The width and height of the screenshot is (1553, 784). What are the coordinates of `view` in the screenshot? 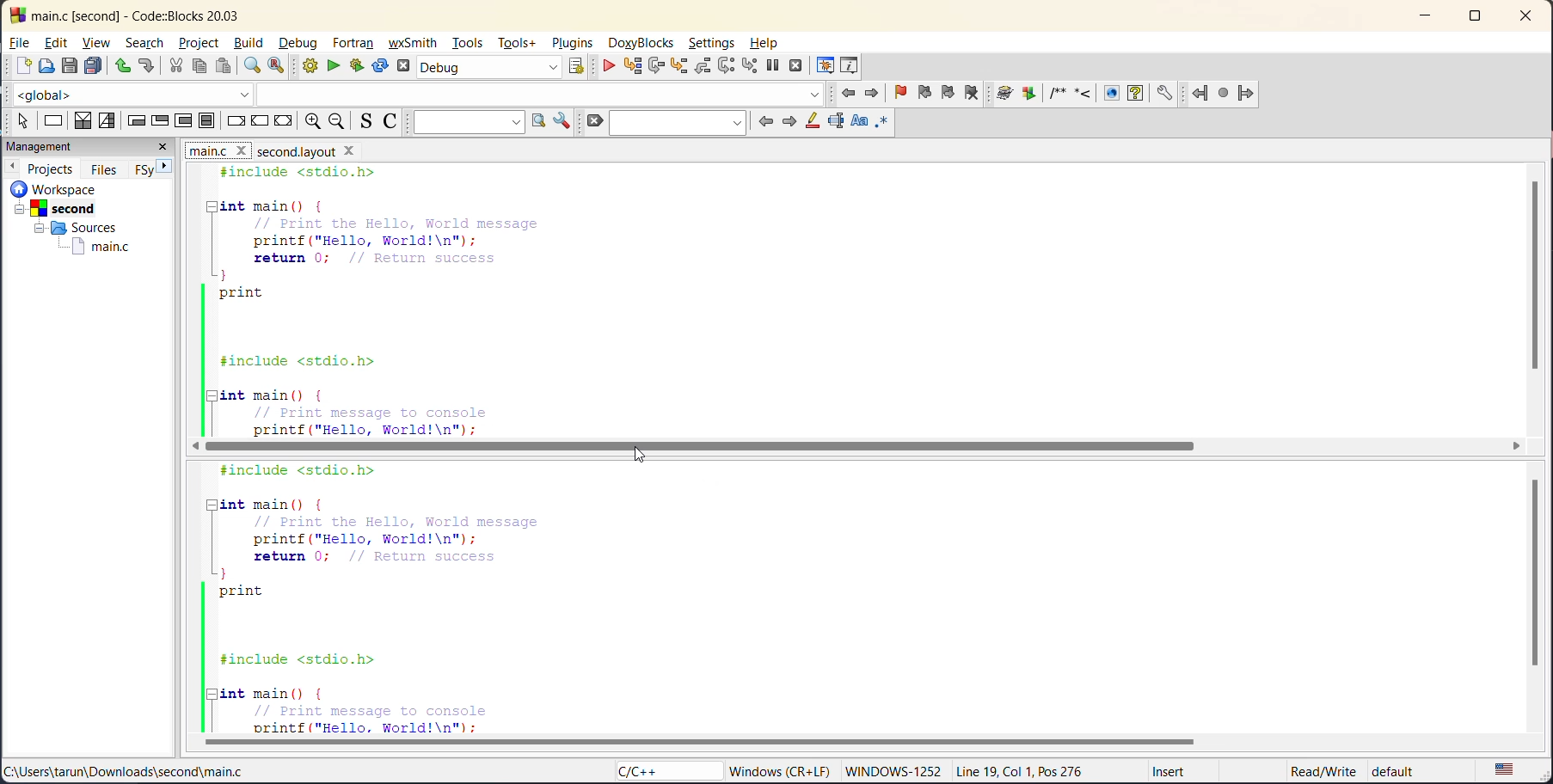 It's located at (96, 44).